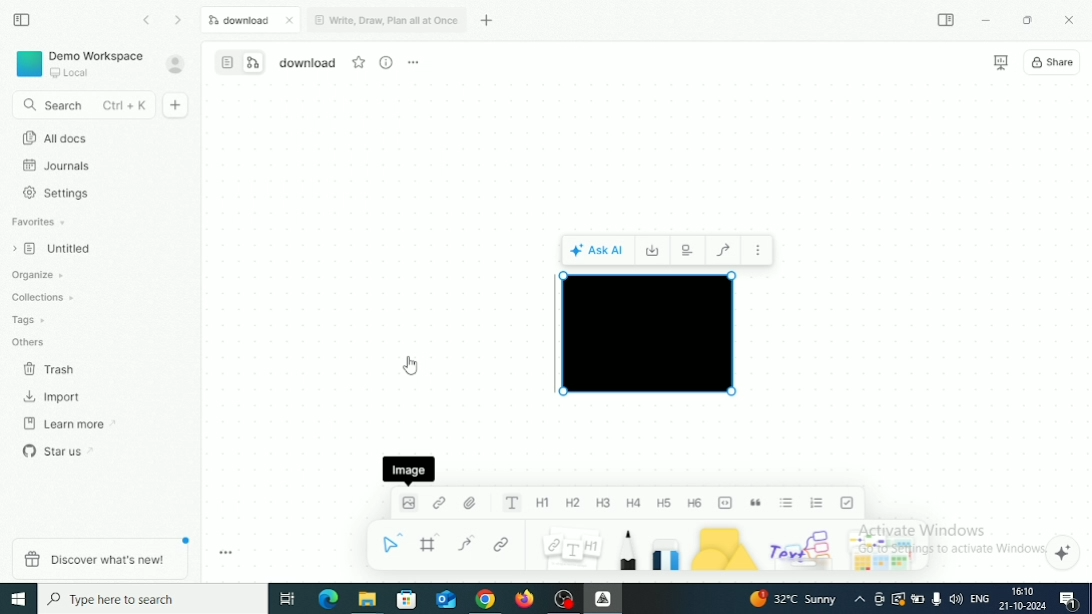 Image resolution: width=1092 pixels, height=614 pixels. Describe the element at coordinates (726, 547) in the screenshot. I see `Shape` at that location.